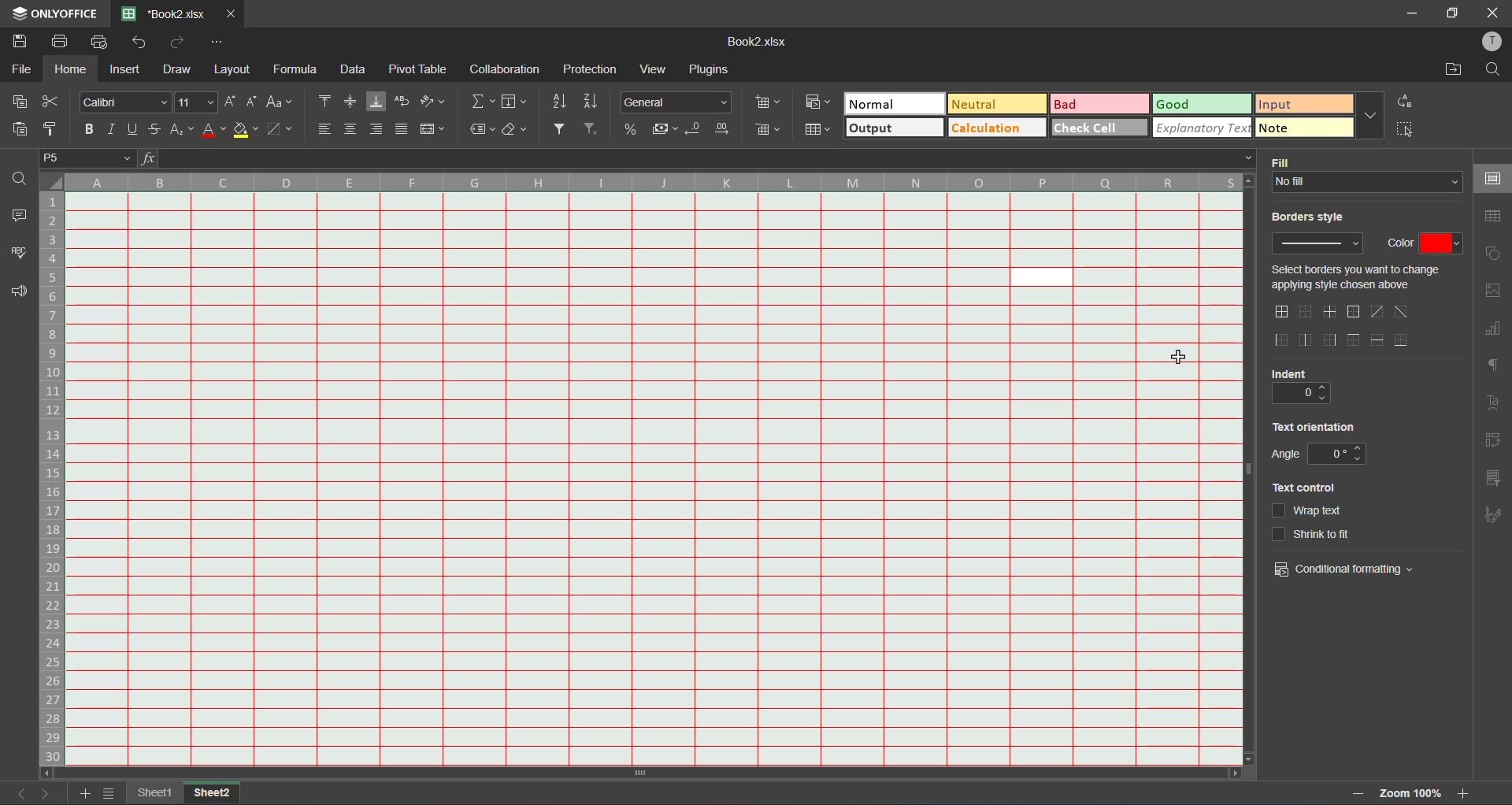  I want to click on align left, so click(322, 132).